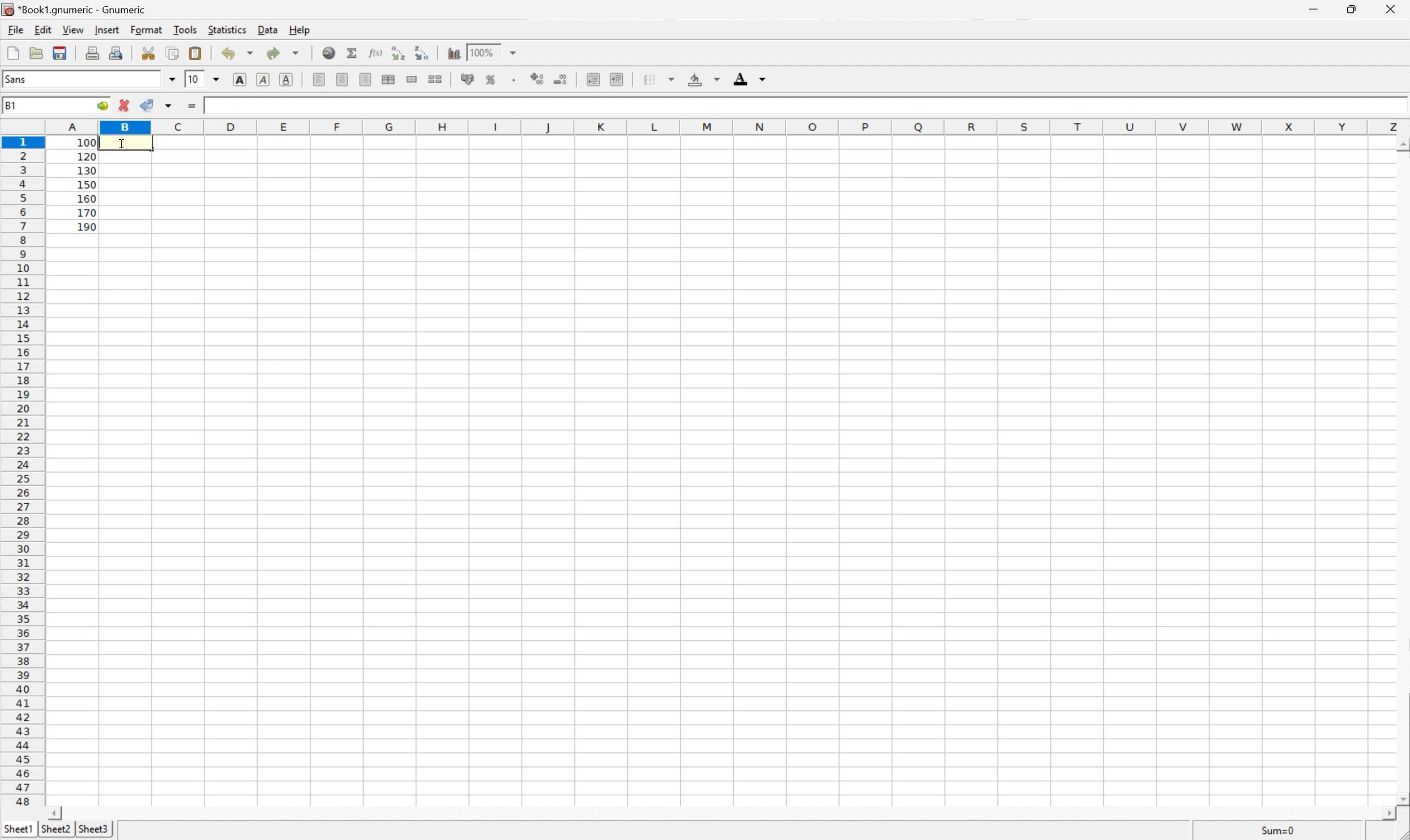 The height and width of the screenshot is (840, 1410). I want to click on Foreground, so click(749, 79).